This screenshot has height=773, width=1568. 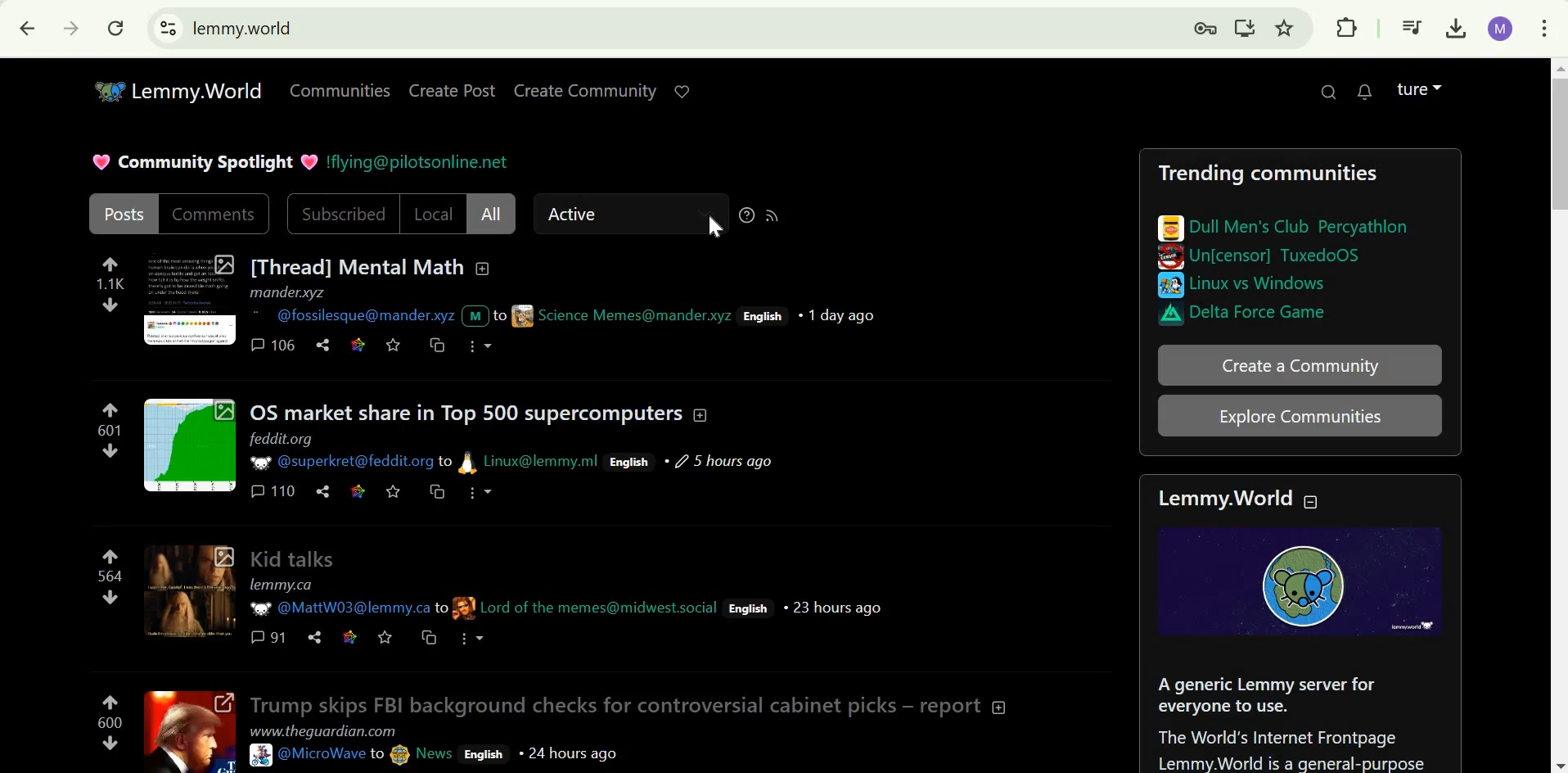 What do you see at coordinates (306, 160) in the screenshot?
I see `heart` at bounding box center [306, 160].